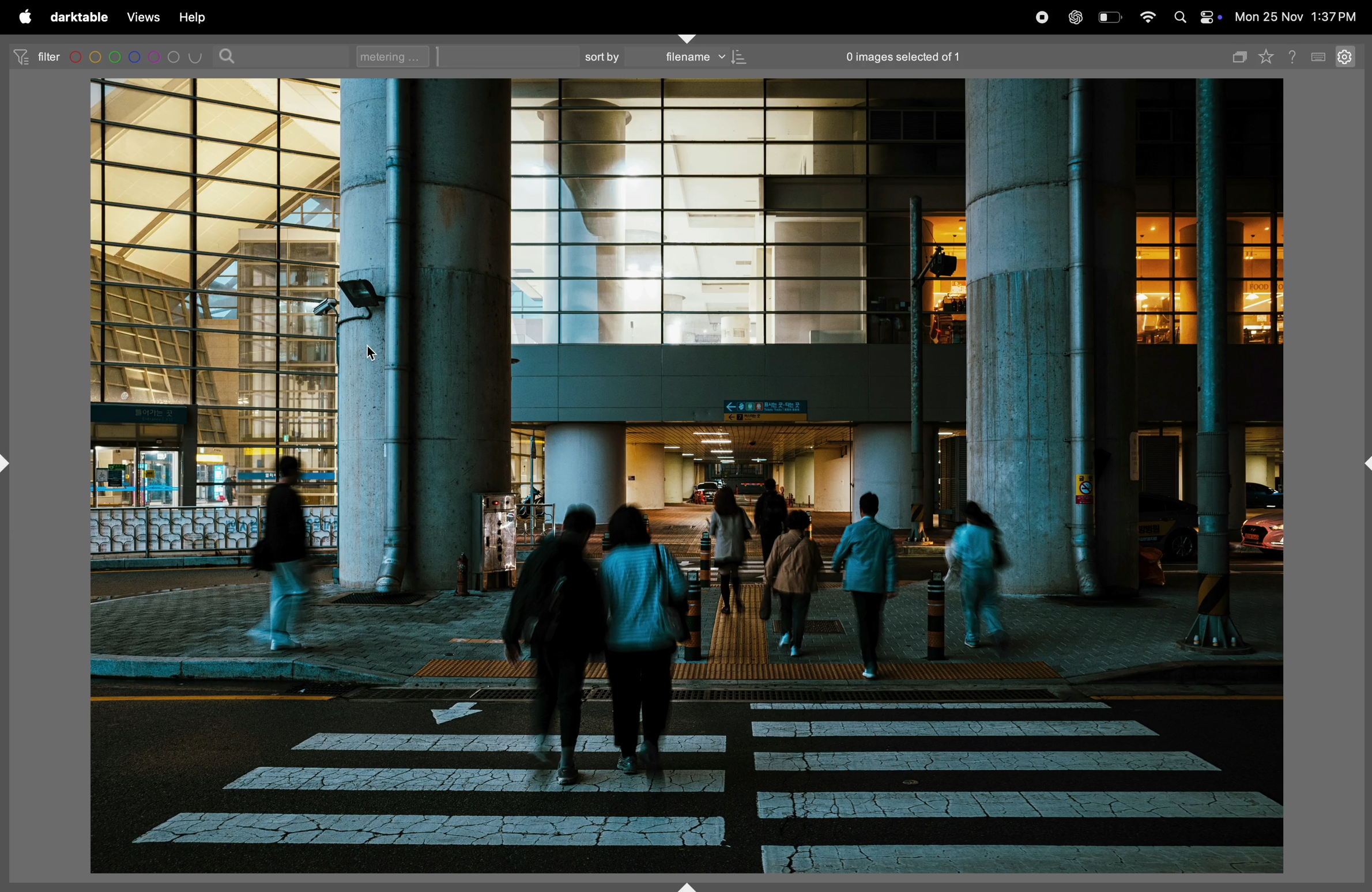 The height and width of the screenshot is (892, 1372). I want to click on views, so click(144, 16).